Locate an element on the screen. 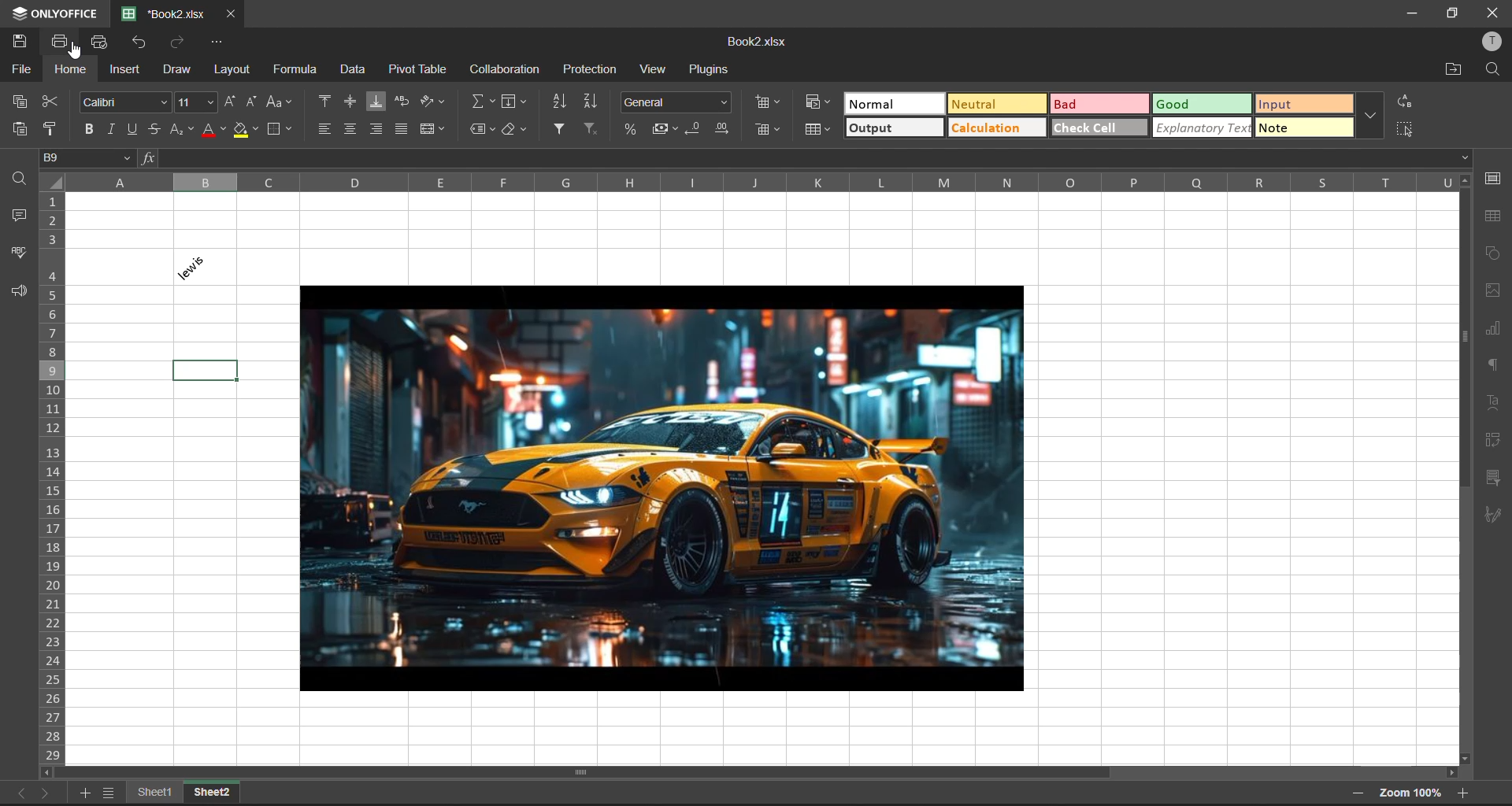  summation is located at coordinates (482, 102).